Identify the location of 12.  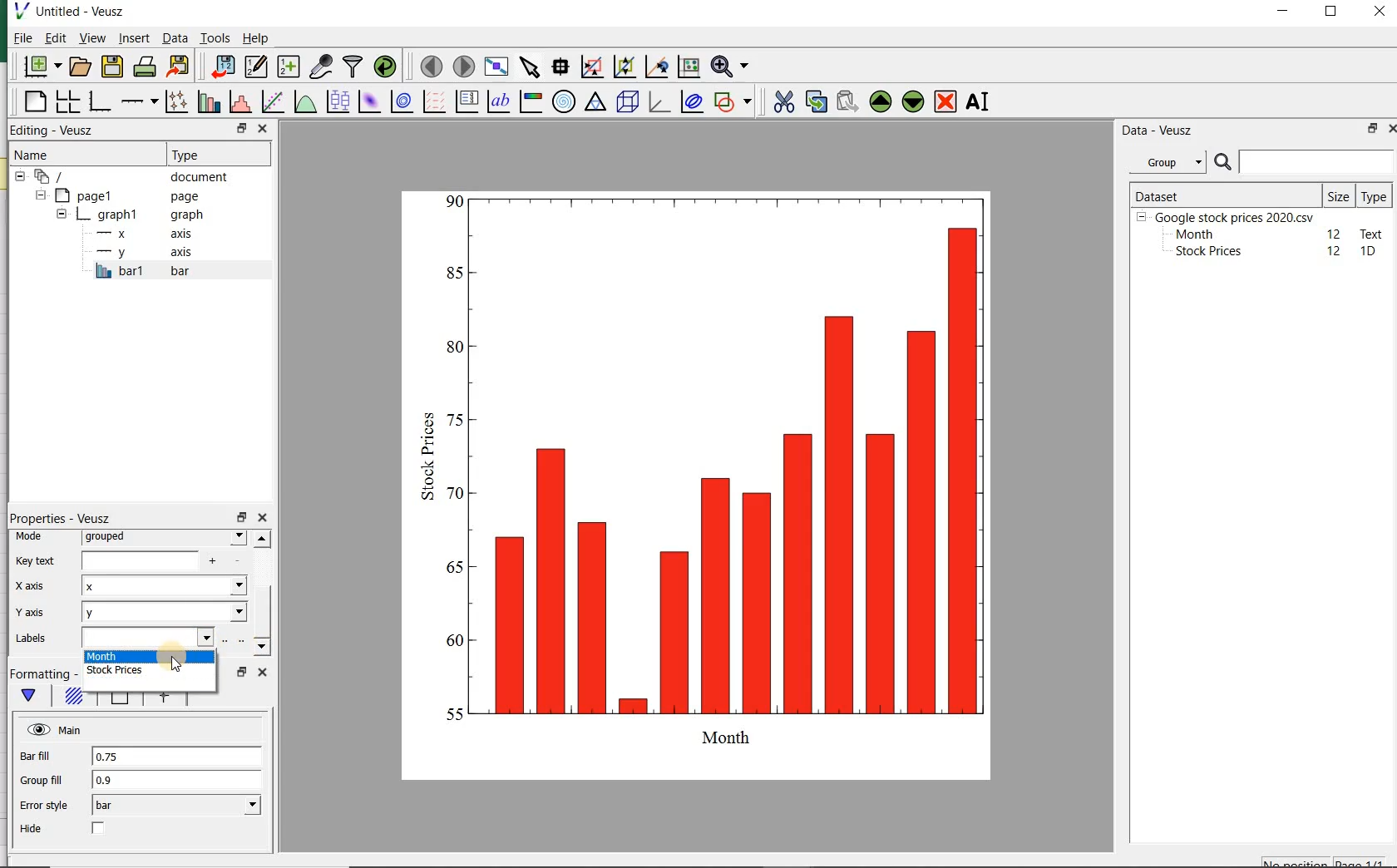
(1335, 251).